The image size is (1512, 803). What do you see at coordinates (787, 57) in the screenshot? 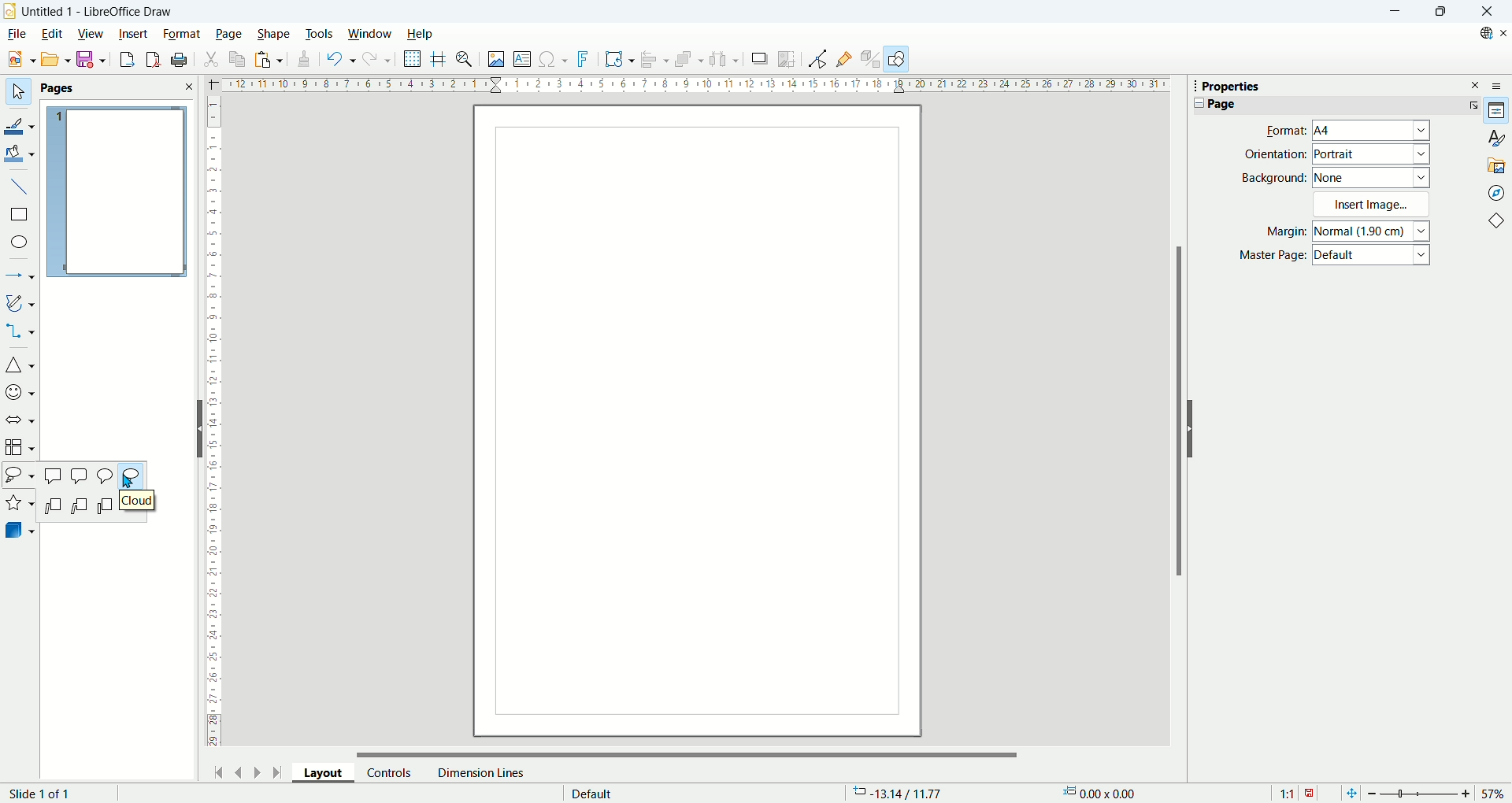
I see `crop image` at bounding box center [787, 57].